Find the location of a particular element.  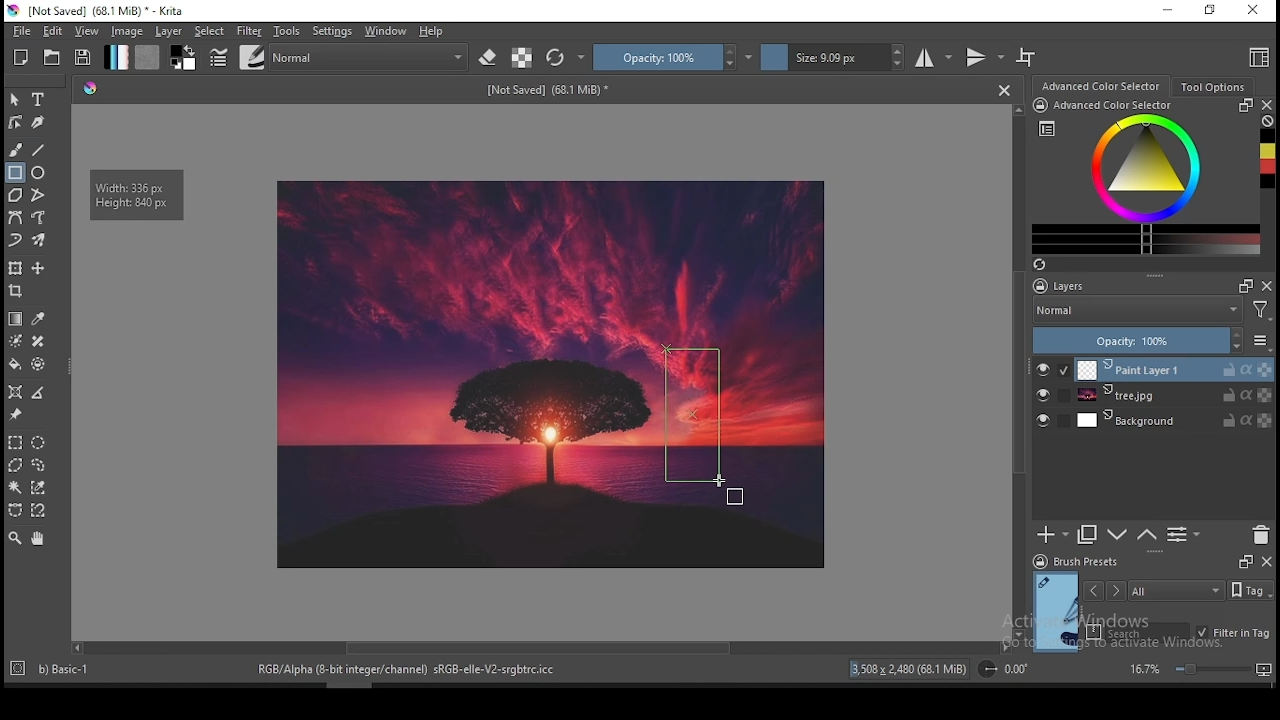

edit is located at coordinates (52, 31).